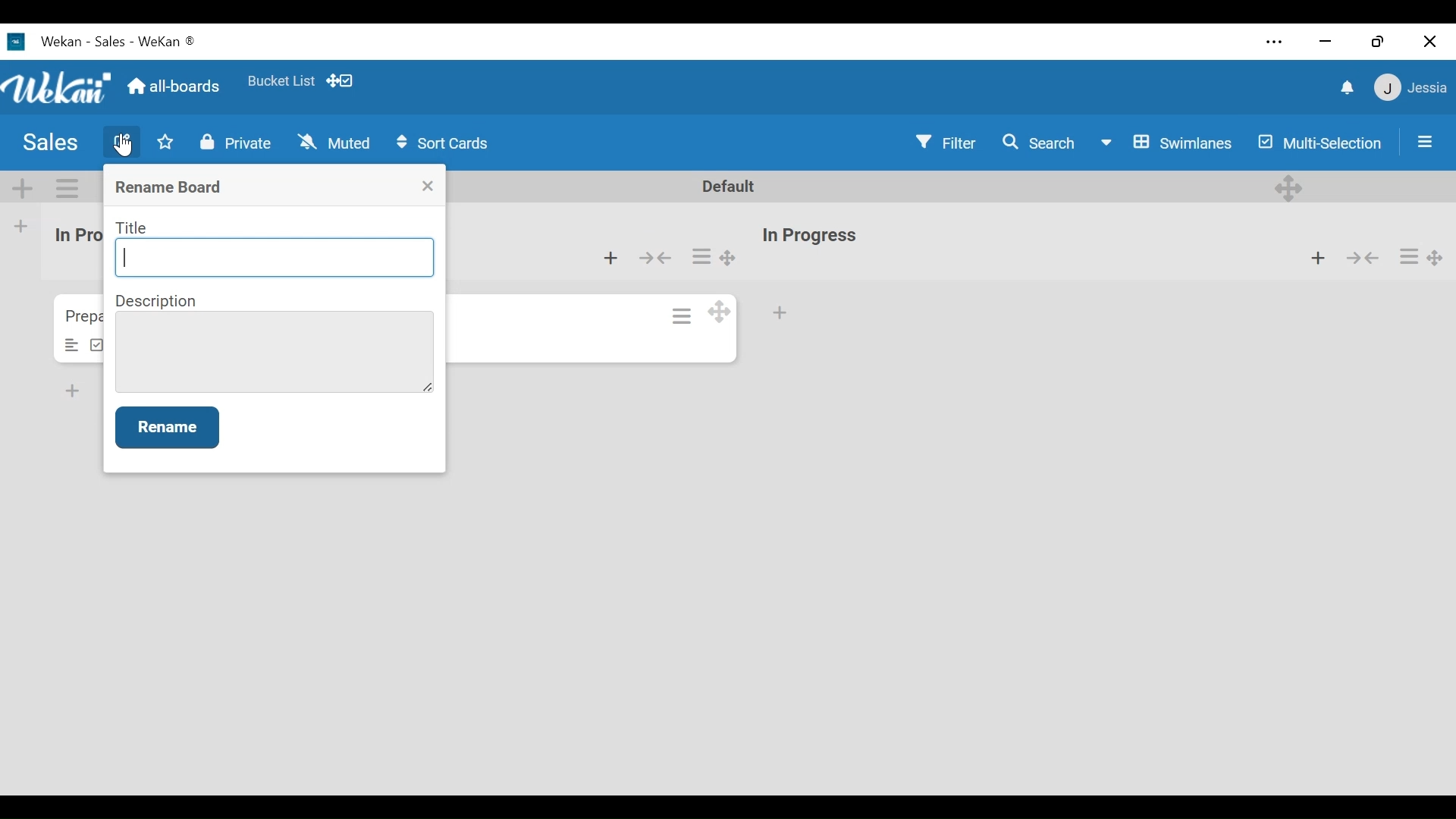 This screenshot has height=819, width=1456. I want to click on Collapse, so click(654, 259).